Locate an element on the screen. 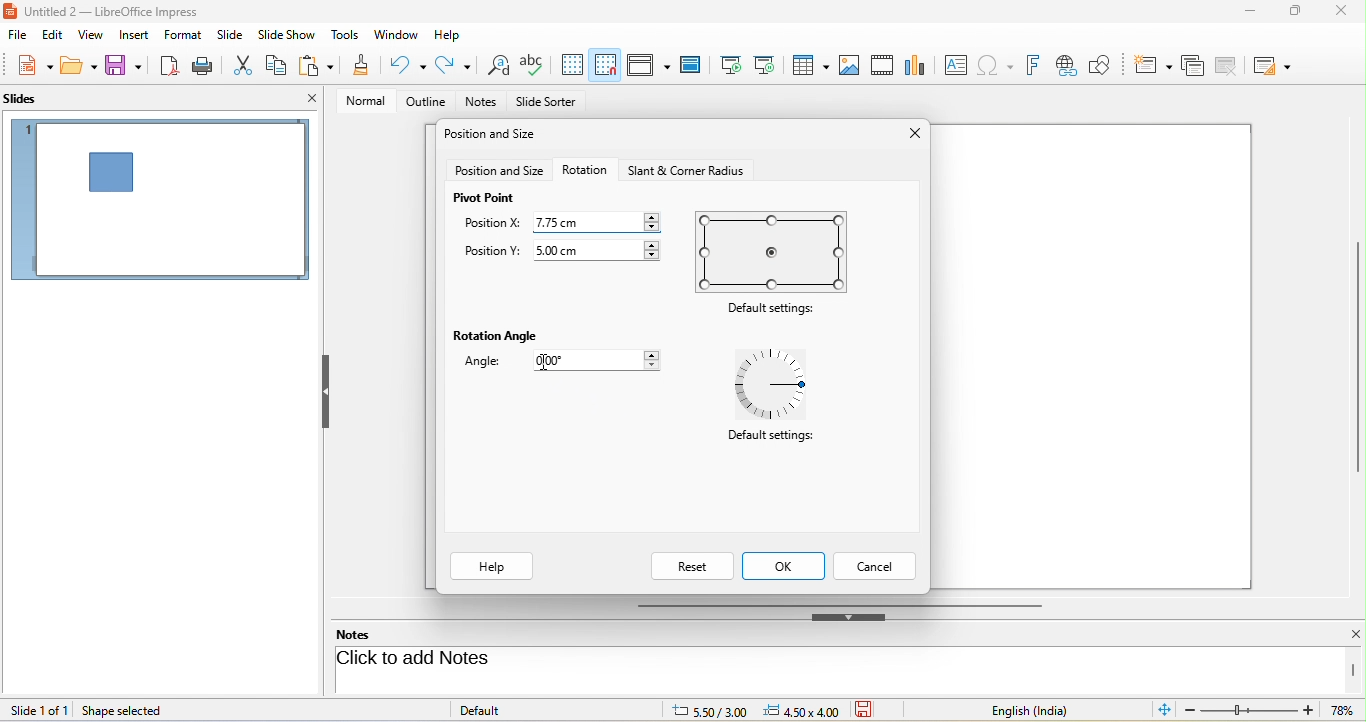  close is located at coordinates (1339, 12).